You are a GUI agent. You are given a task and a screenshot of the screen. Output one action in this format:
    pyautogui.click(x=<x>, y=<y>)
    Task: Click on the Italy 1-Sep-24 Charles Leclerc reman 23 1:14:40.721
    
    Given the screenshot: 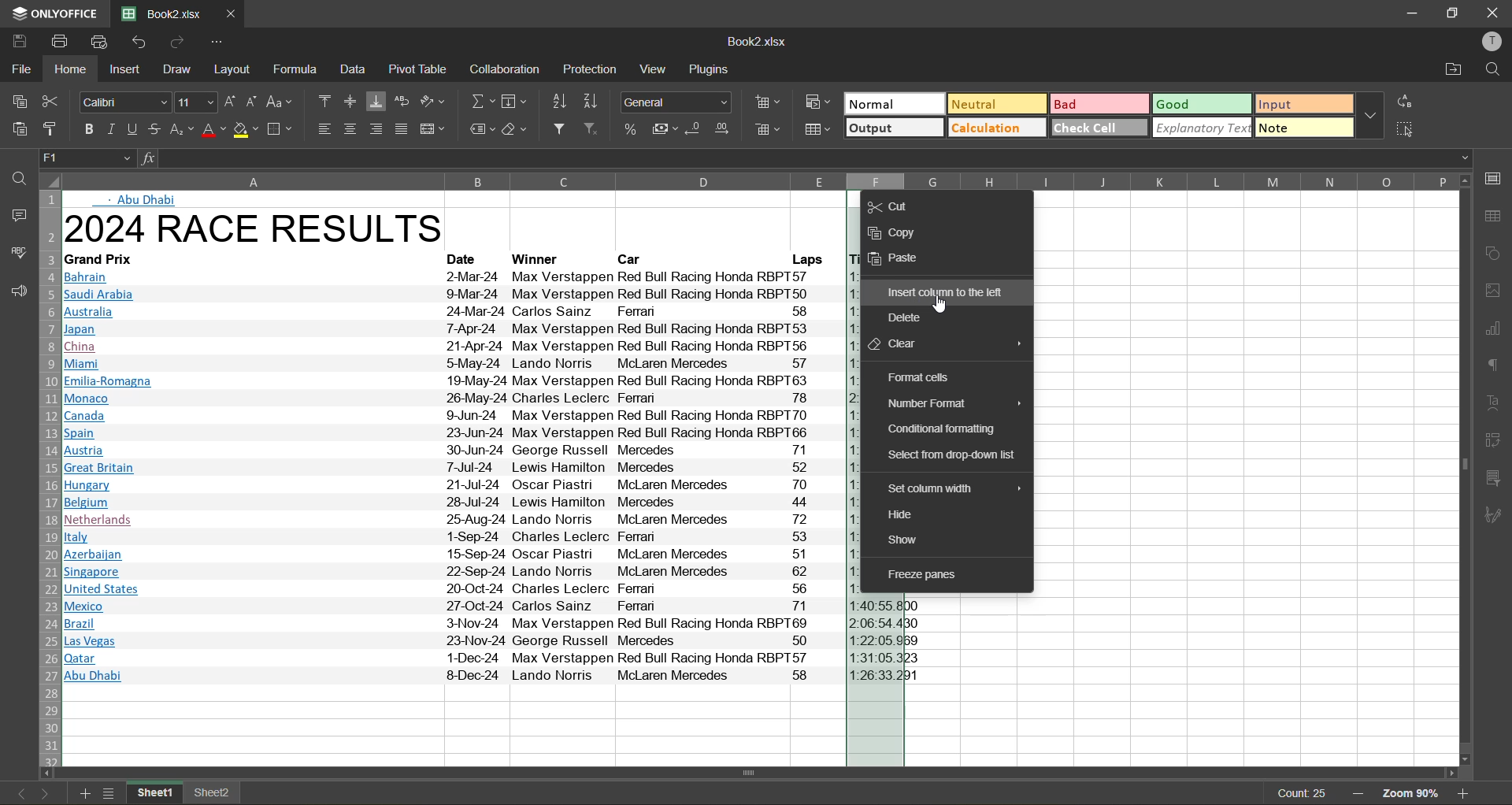 What is the action you would take?
    pyautogui.click(x=449, y=538)
    